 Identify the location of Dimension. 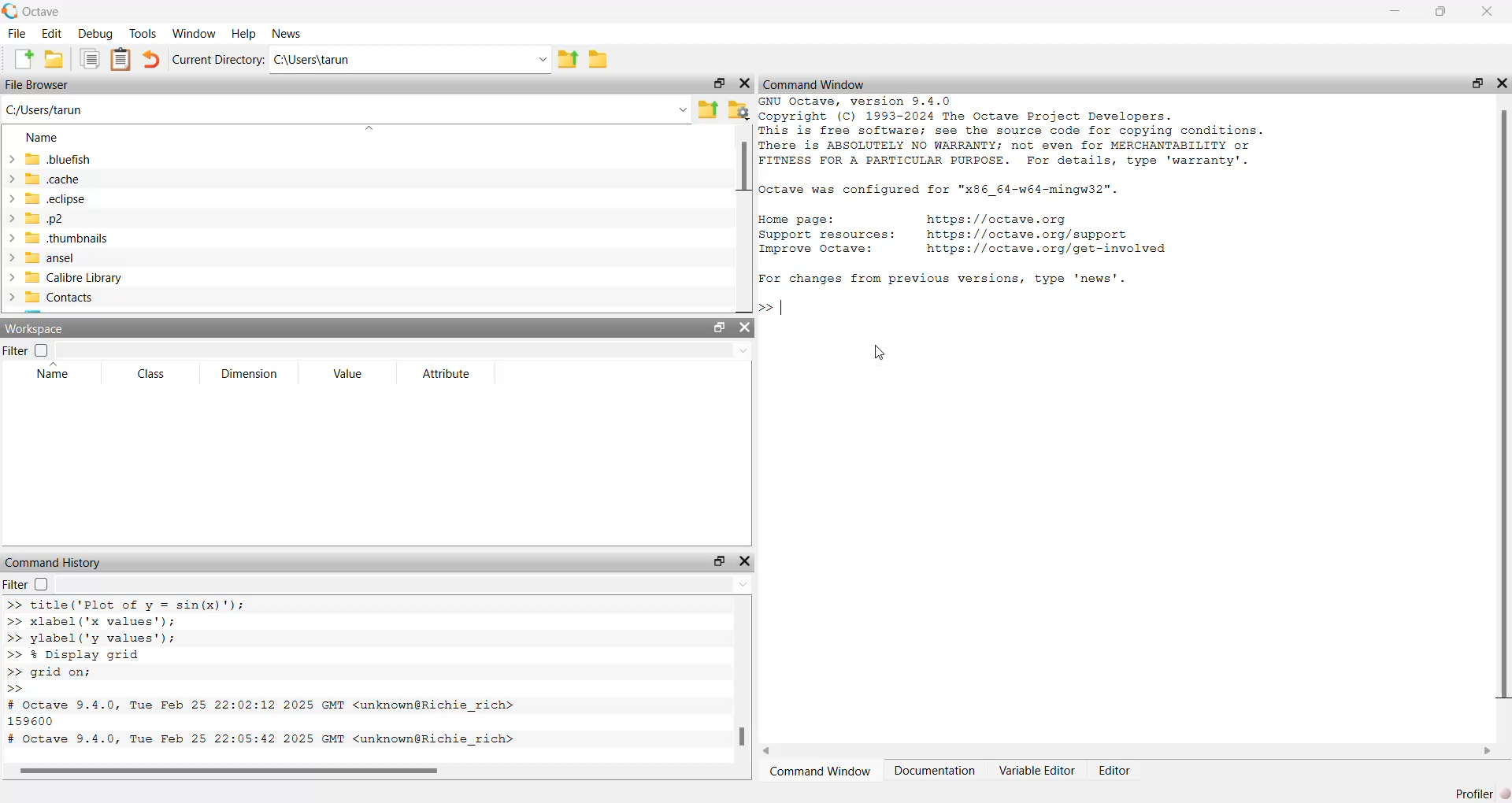
(249, 373).